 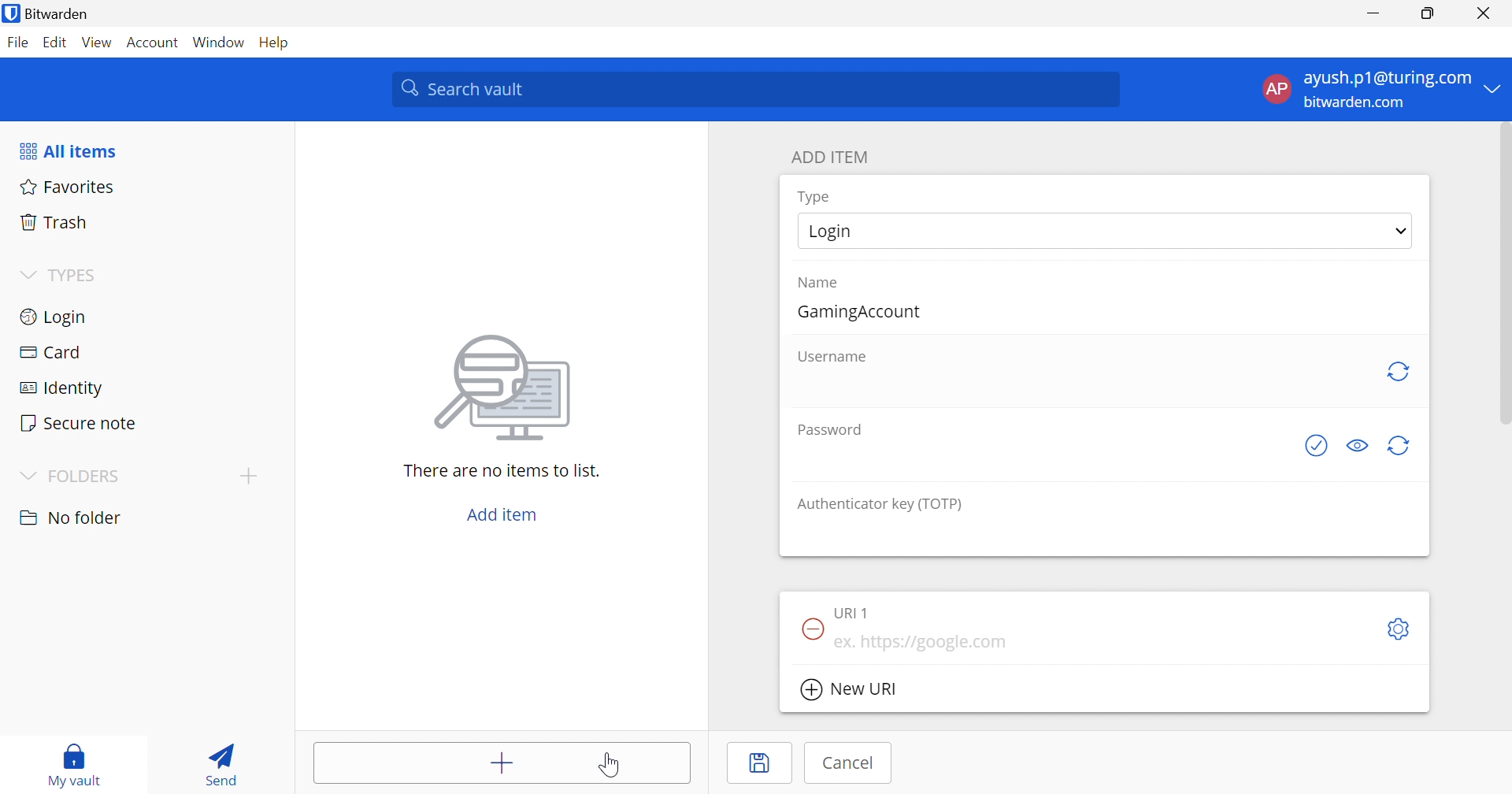 What do you see at coordinates (828, 431) in the screenshot?
I see `Password` at bounding box center [828, 431].